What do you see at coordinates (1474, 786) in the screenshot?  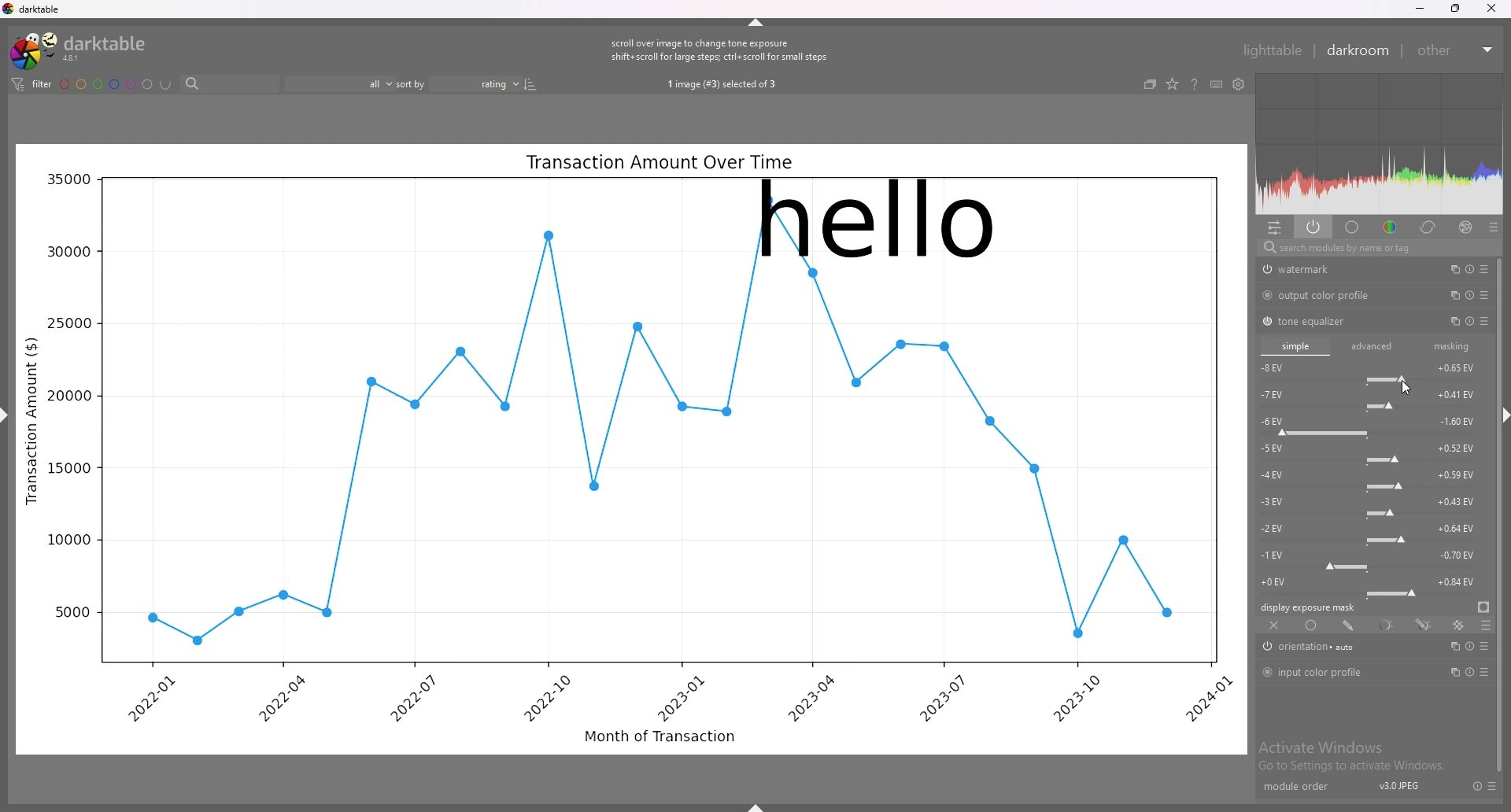 I see `reset` at bounding box center [1474, 786].